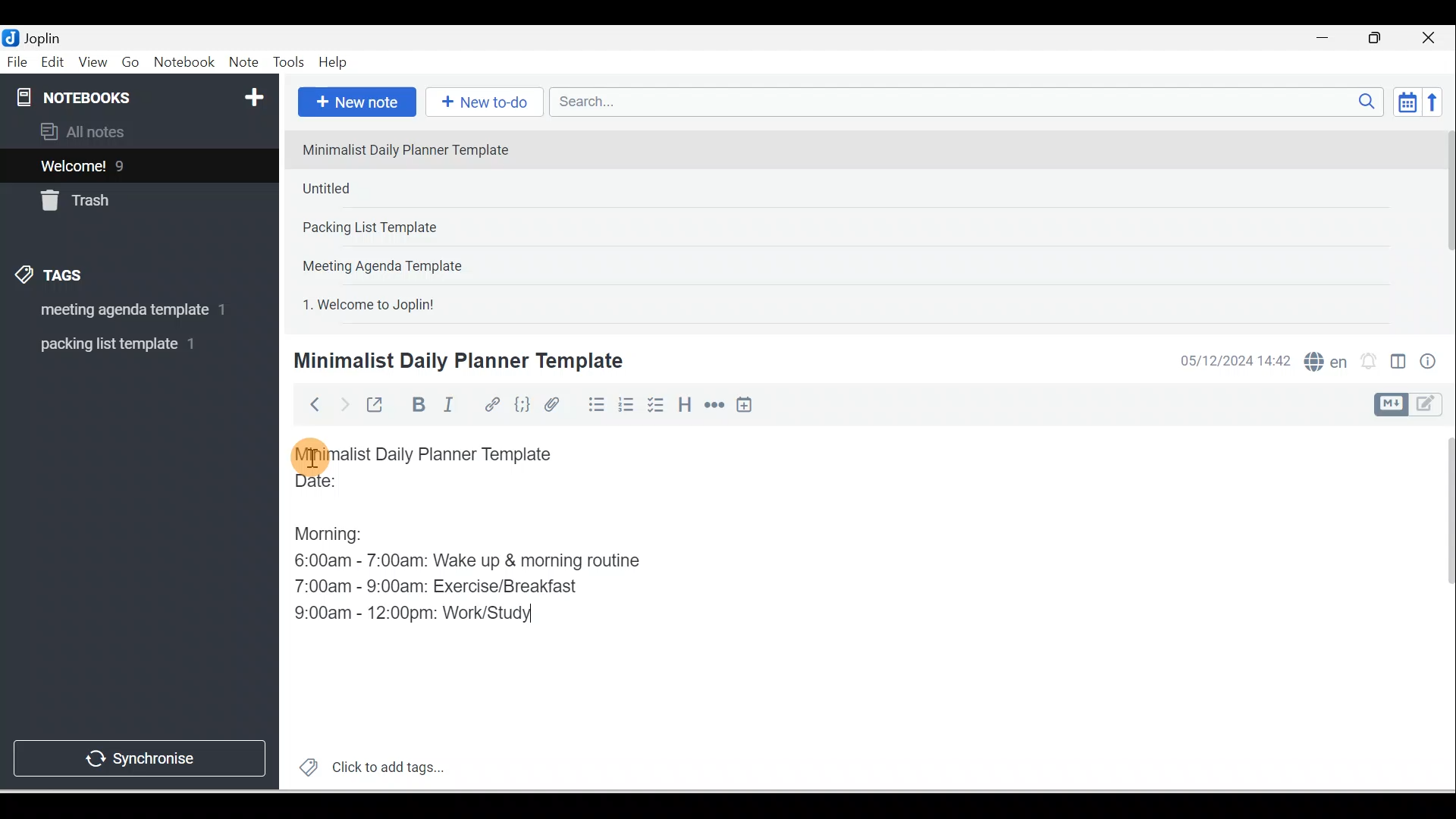 Image resolution: width=1456 pixels, height=819 pixels. I want to click on Heading, so click(684, 403).